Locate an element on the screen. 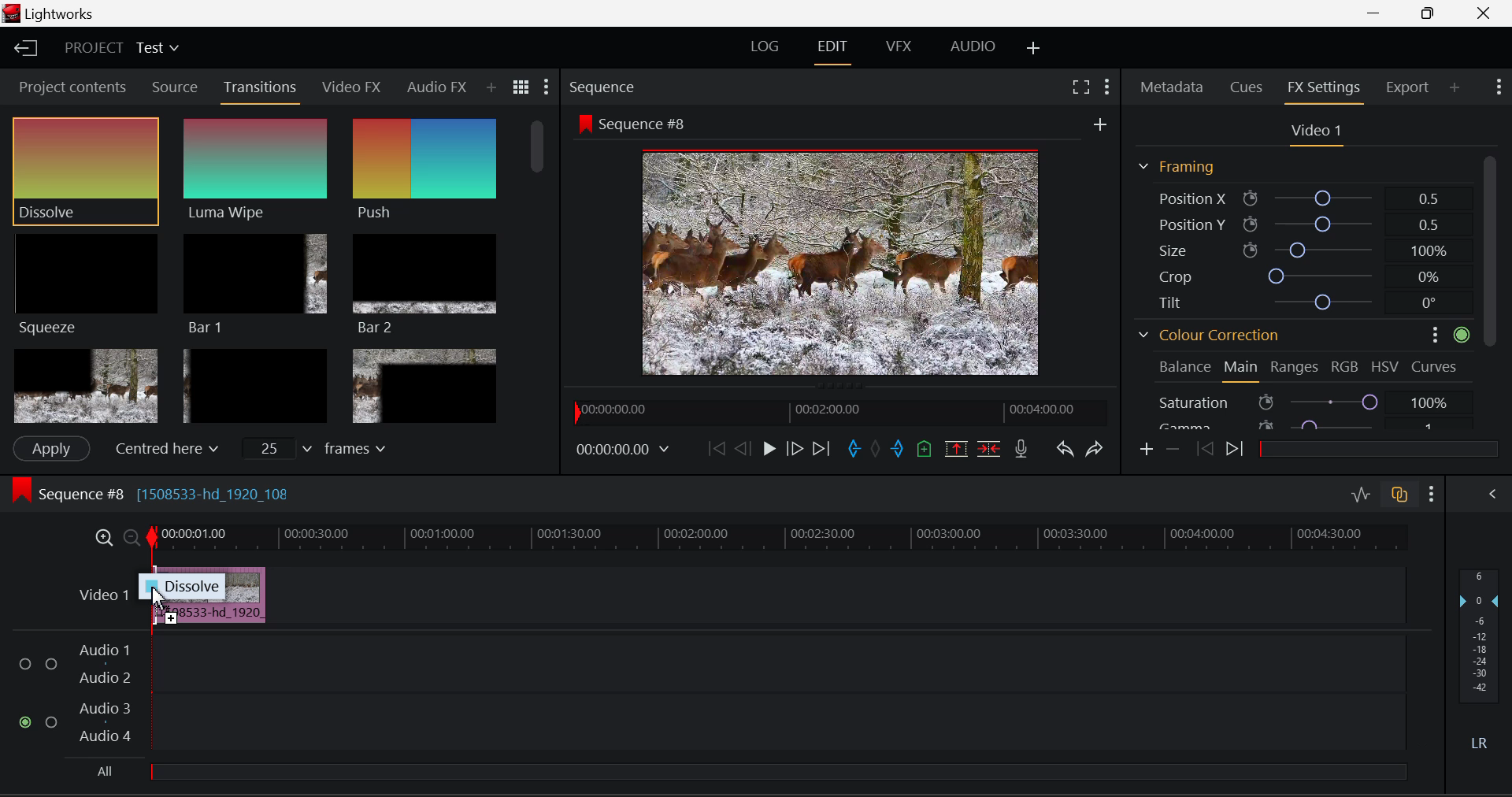  Centered here is located at coordinates (166, 447).